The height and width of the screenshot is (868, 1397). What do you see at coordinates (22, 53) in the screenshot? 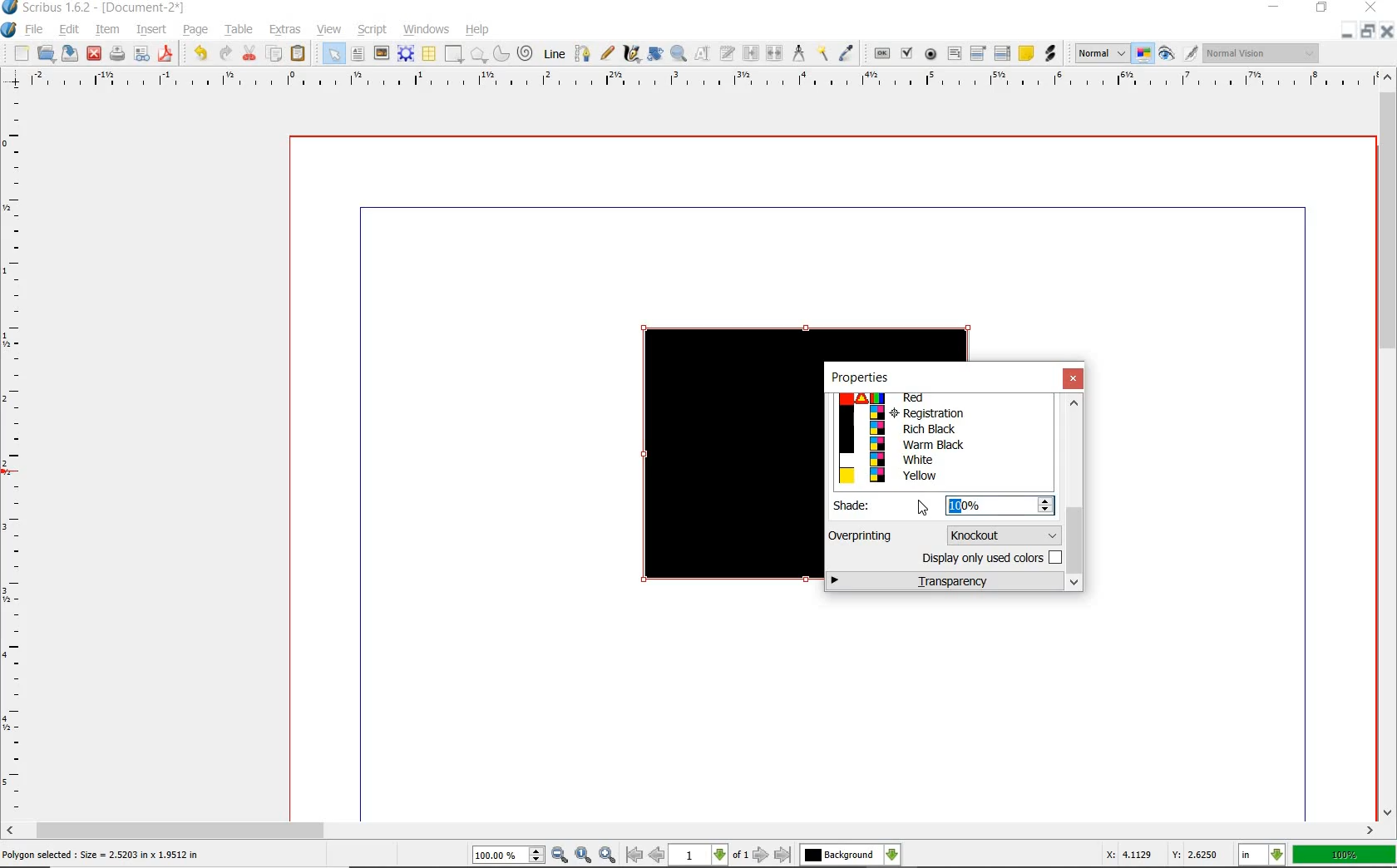
I see `new` at bounding box center [22, 53].